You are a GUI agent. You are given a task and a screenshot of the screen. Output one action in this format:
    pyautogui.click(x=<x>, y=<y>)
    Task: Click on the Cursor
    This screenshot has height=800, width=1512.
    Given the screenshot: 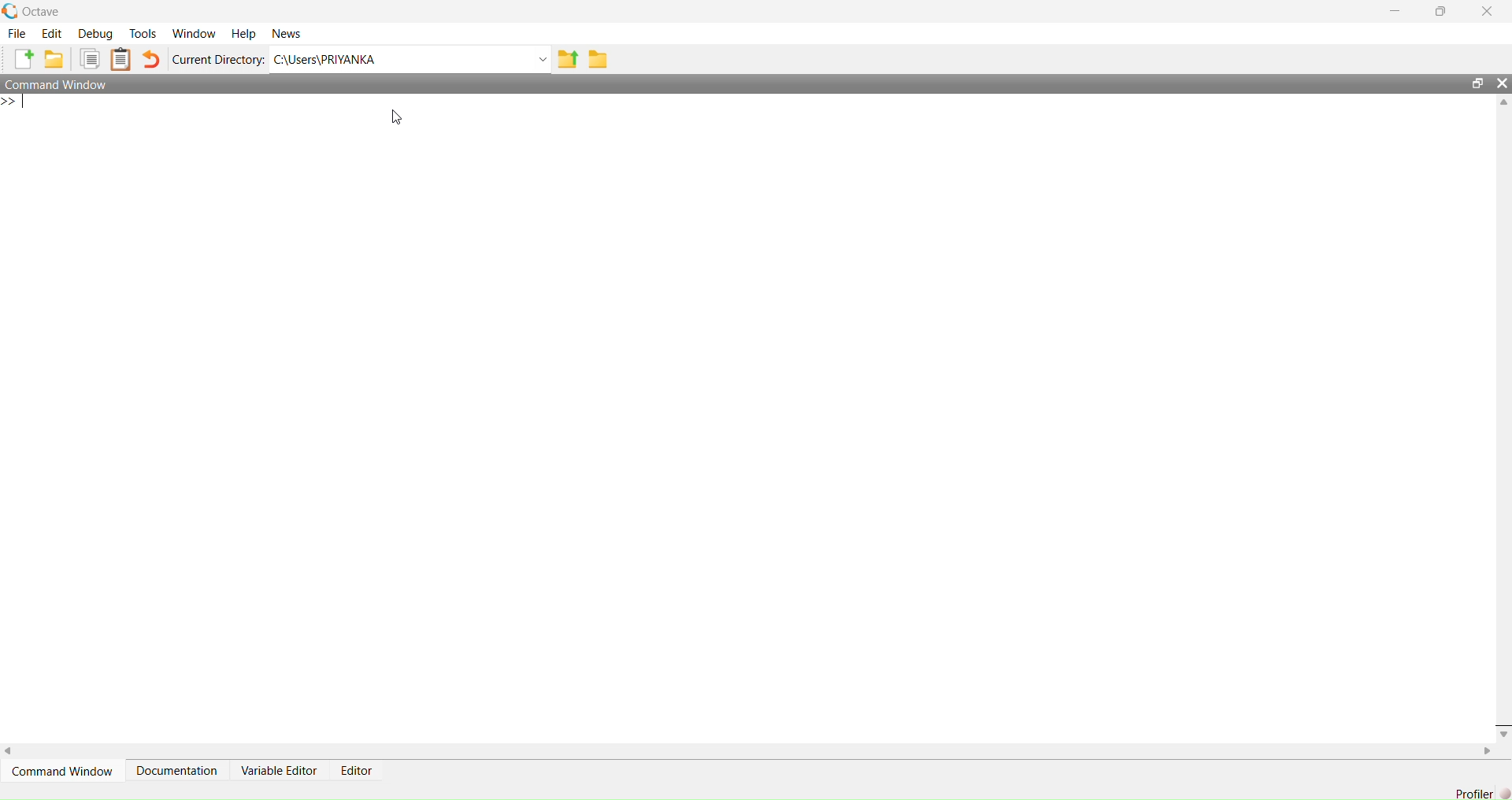 What is the action you would take?
    pyautogui.click(x=391, y=118)
    